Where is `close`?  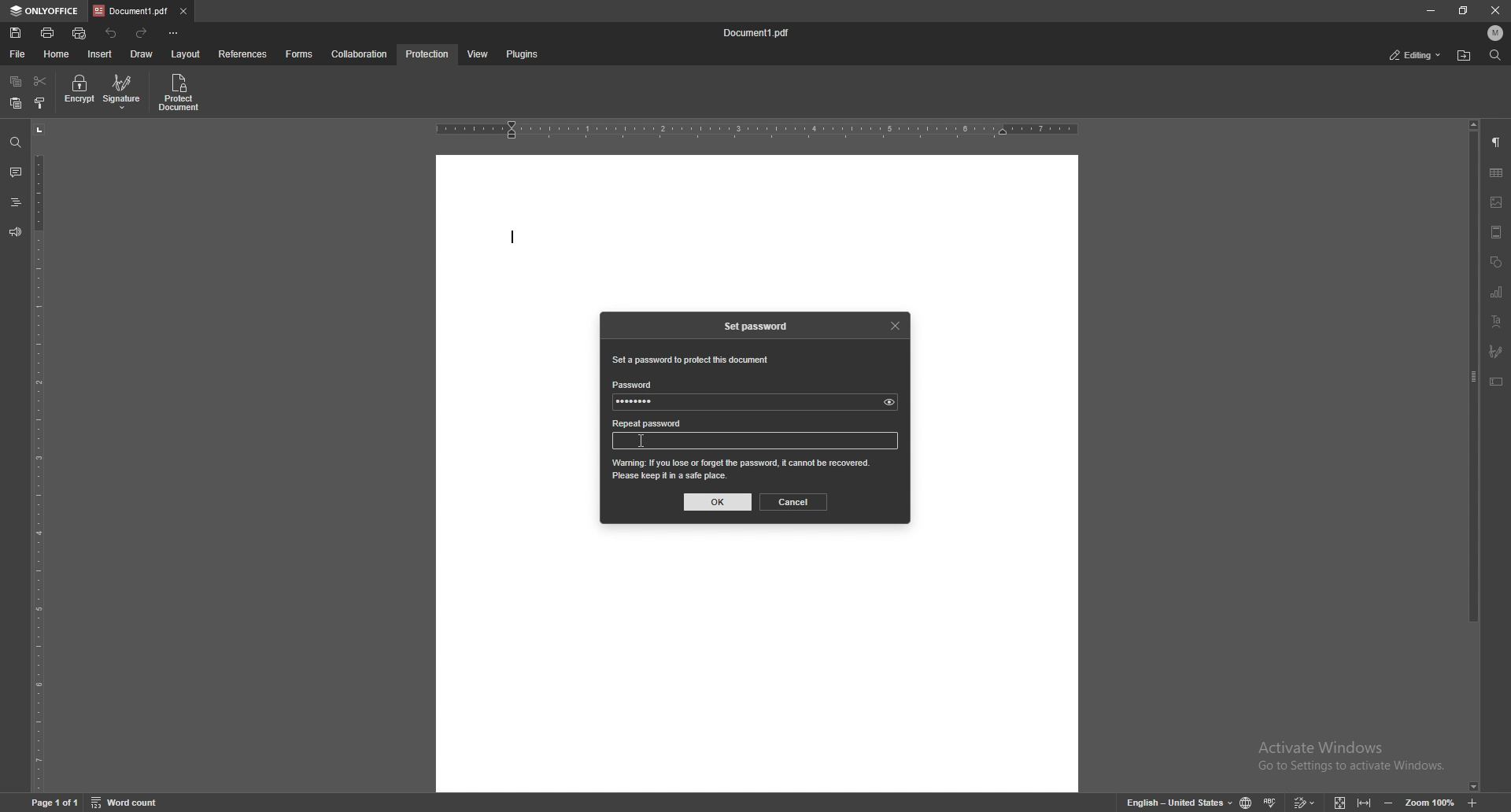 close is located at coordinates (1495, 12).